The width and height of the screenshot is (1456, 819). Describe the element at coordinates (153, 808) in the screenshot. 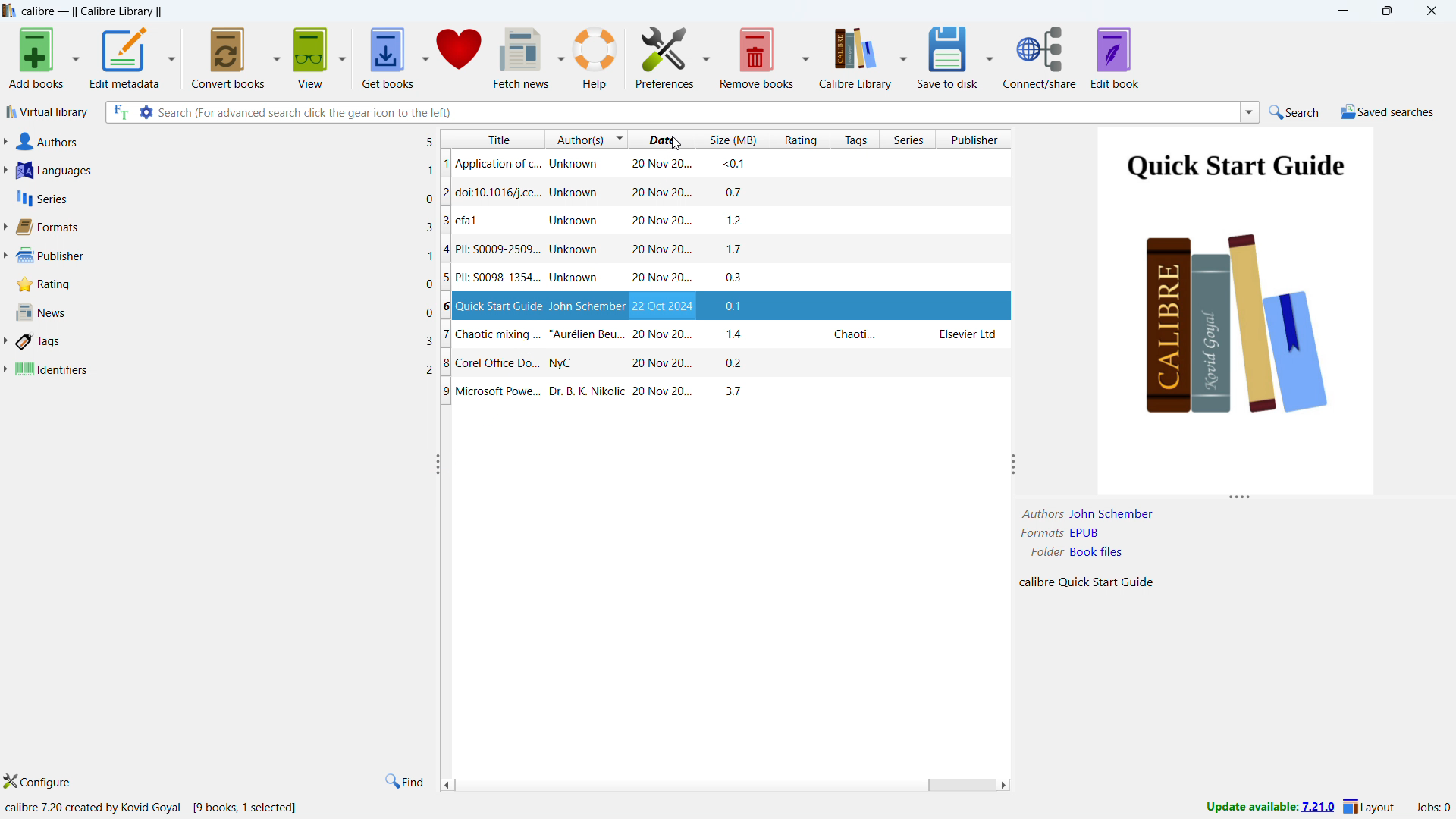

I see `calibre 7.20 created by Kovid Goyal [9 books, 1 selected]` at that location.